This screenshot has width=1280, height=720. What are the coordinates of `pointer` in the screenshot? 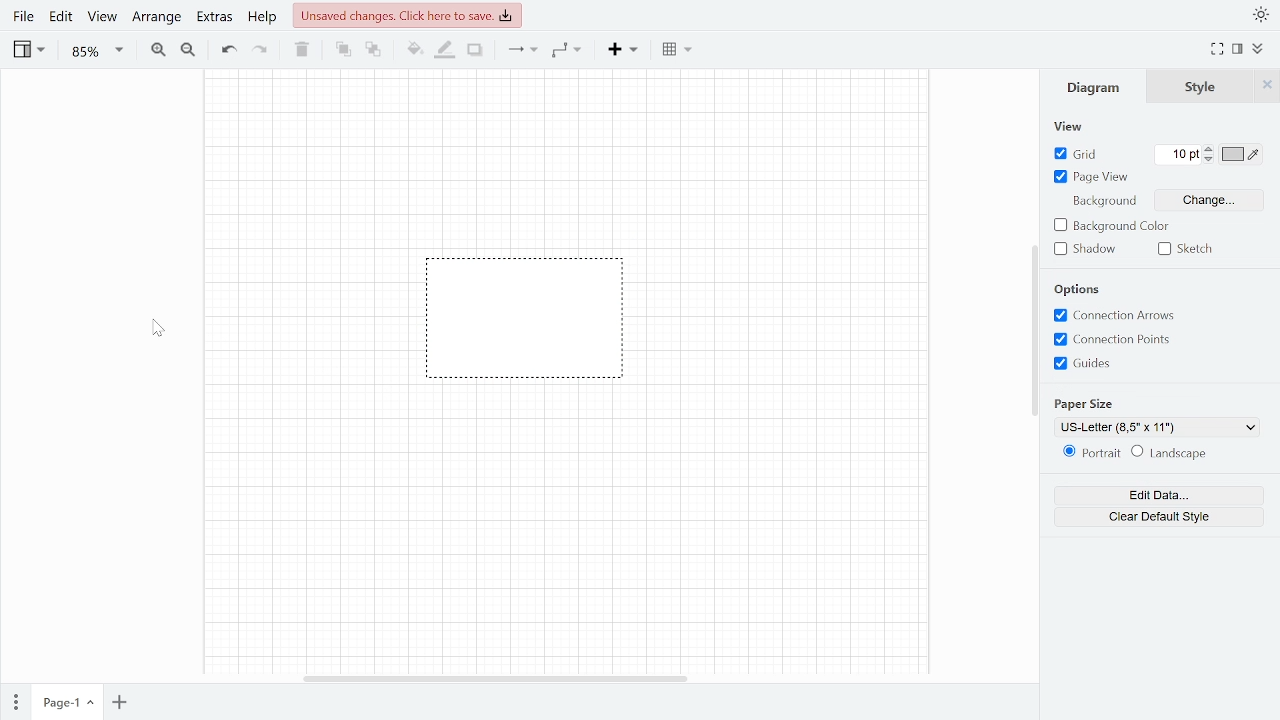 It's located at (159, 328).